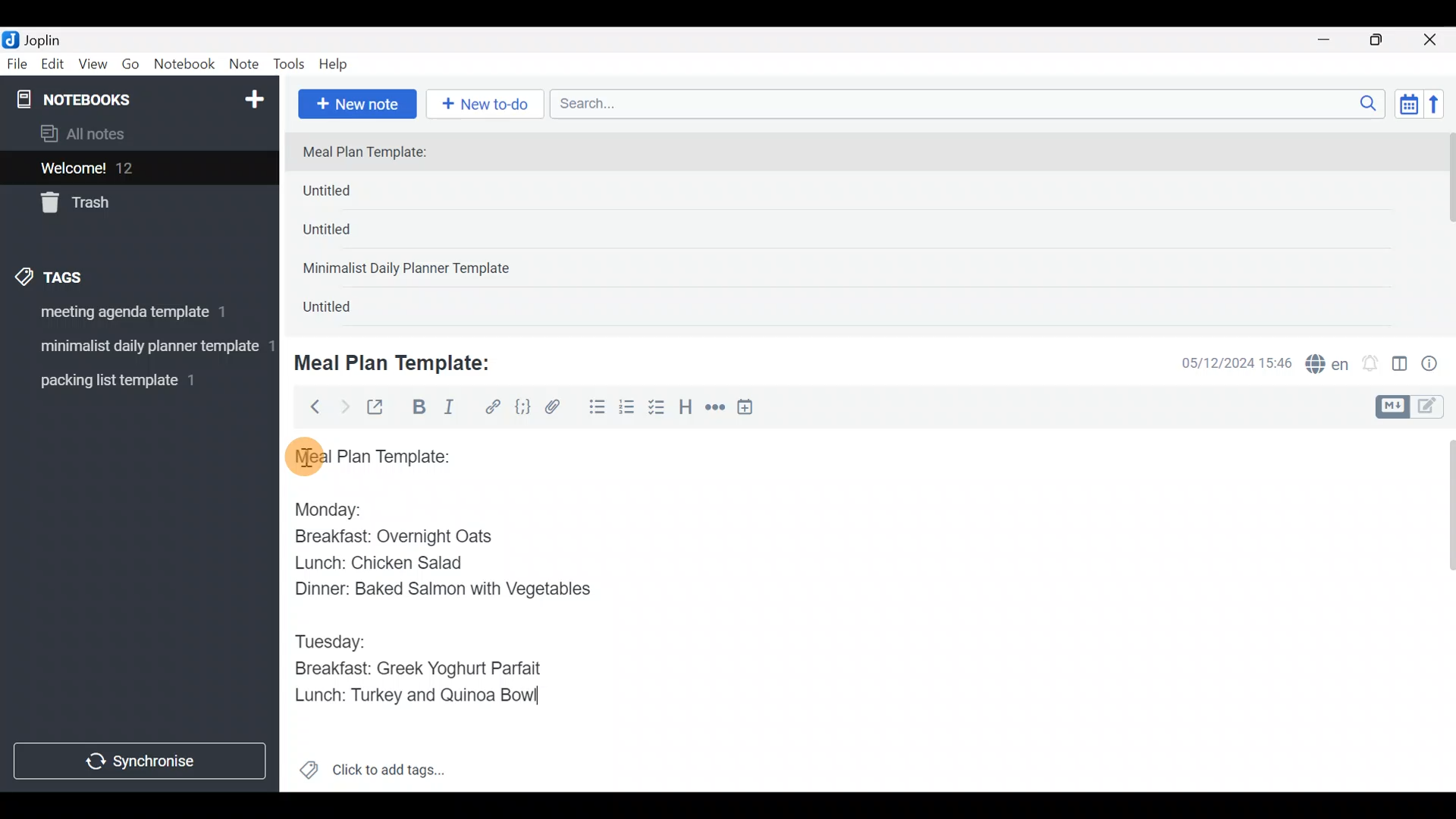 This screenshot has height=819, width=1456. I want to click on Meal Plan Template:, so click(402, 361).